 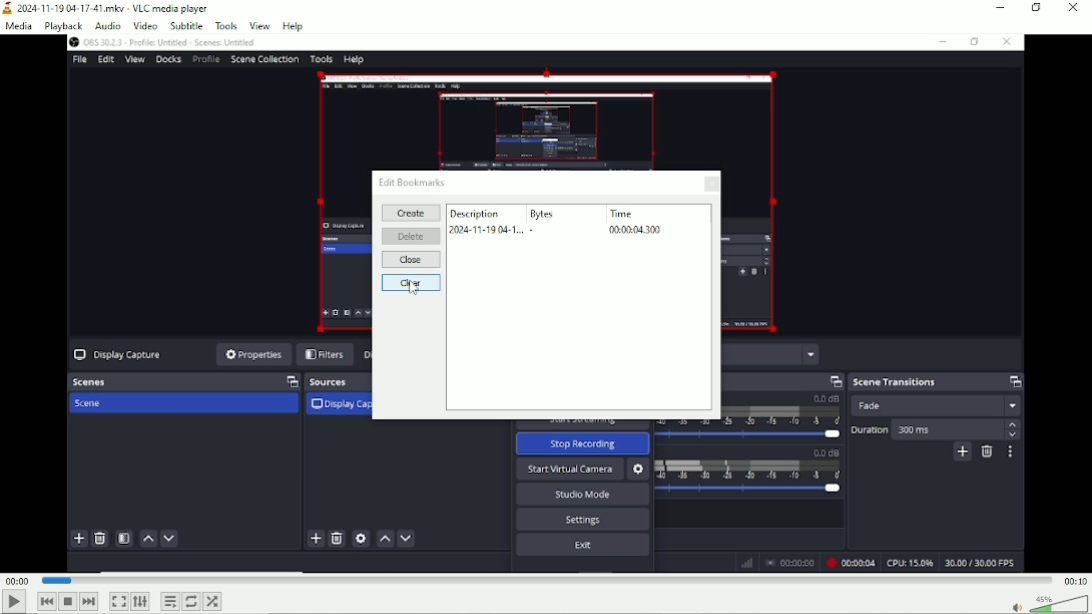 What do you see at coordinates (484, 221) in the screenshot?
I see `Description` at bounding box center [484, 221].